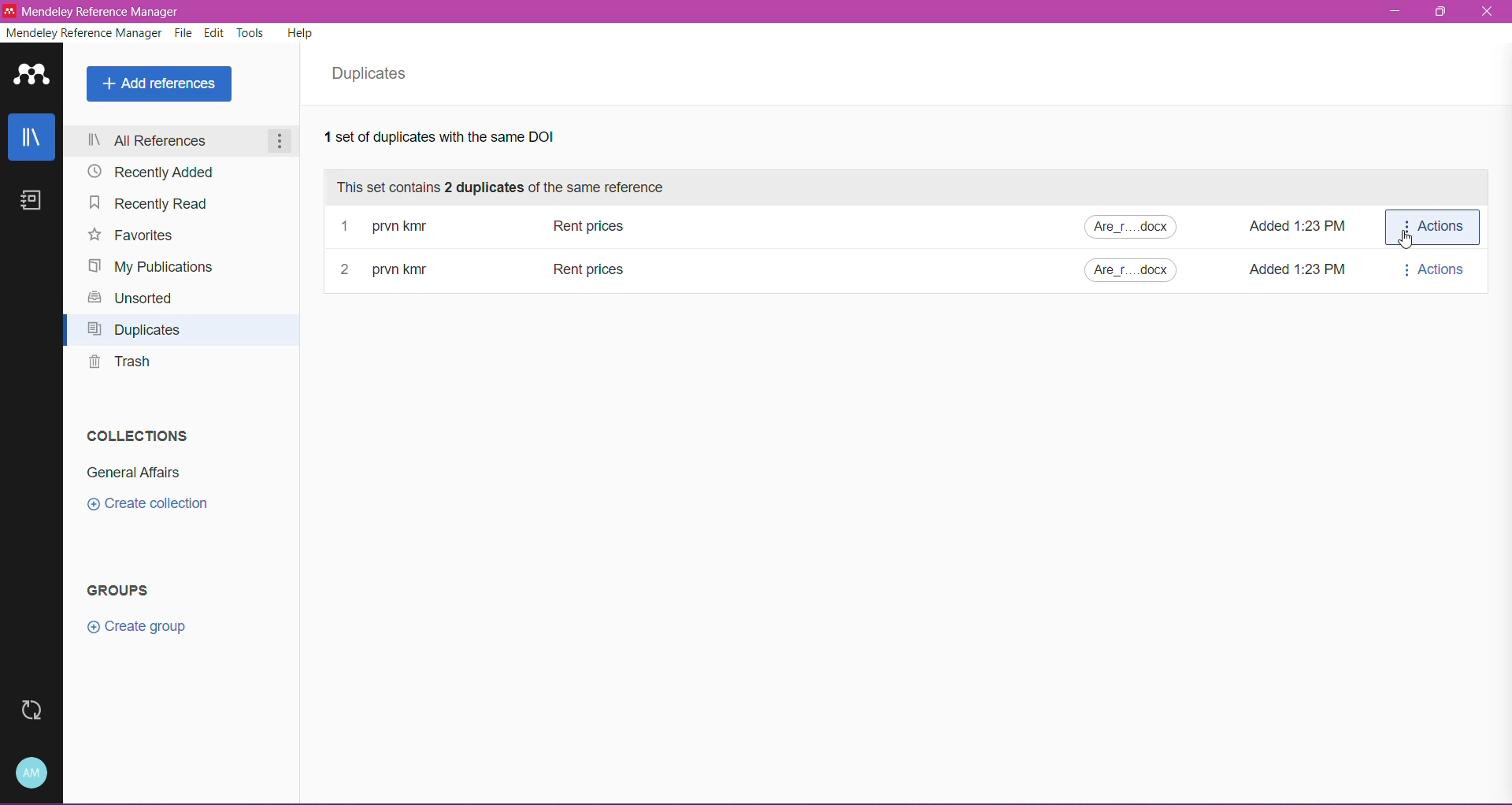 Image resolution: width=1512 pixels, height=805 pixels. What do you see at coordinates (1128, 227) in the screenshot?
I see `File` at bounding box center [1128, 227].